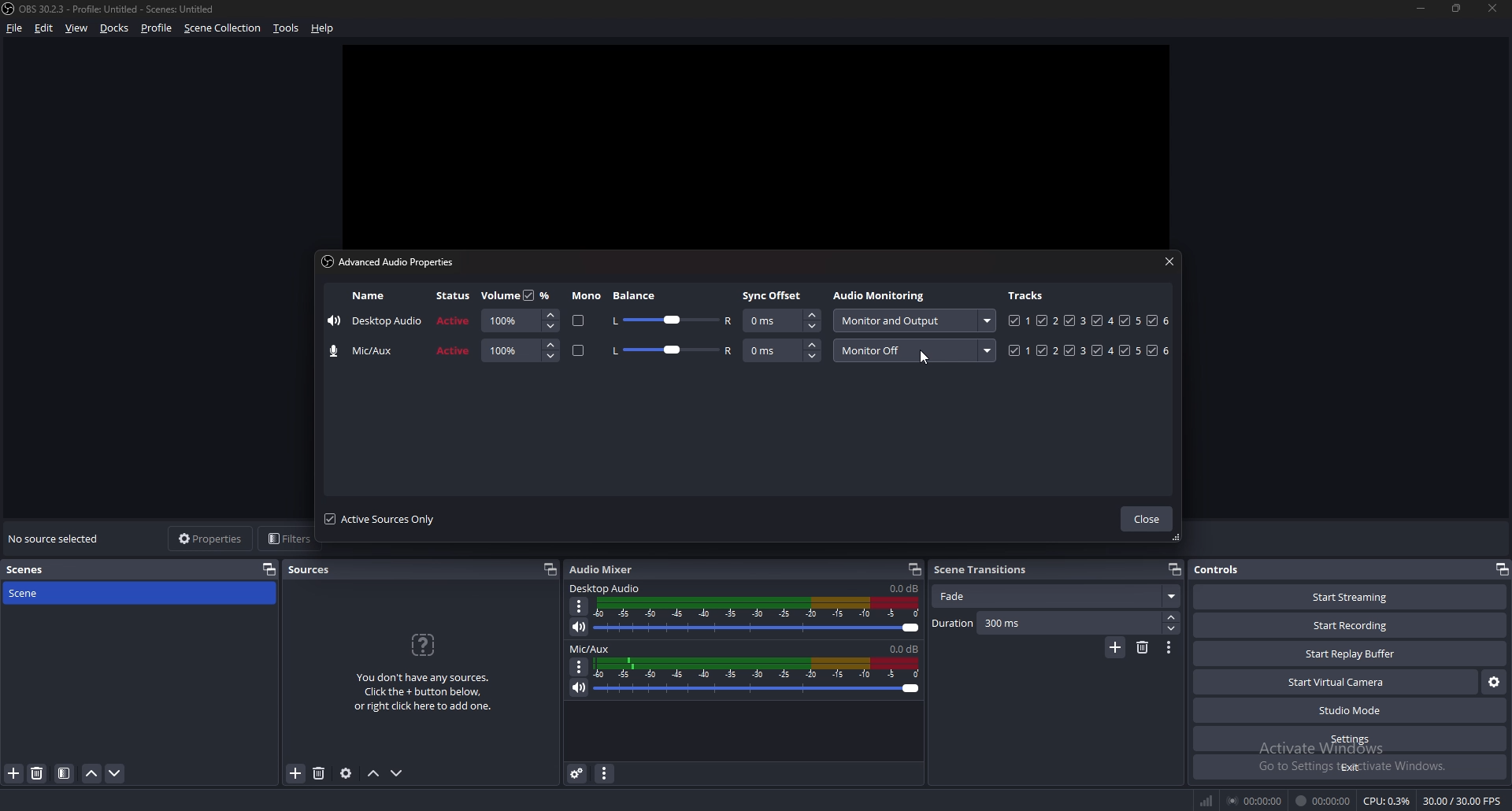 Image resolution: width=1512 pixels, height=811 pixels. I want to click on question icon, so click(423, 645).